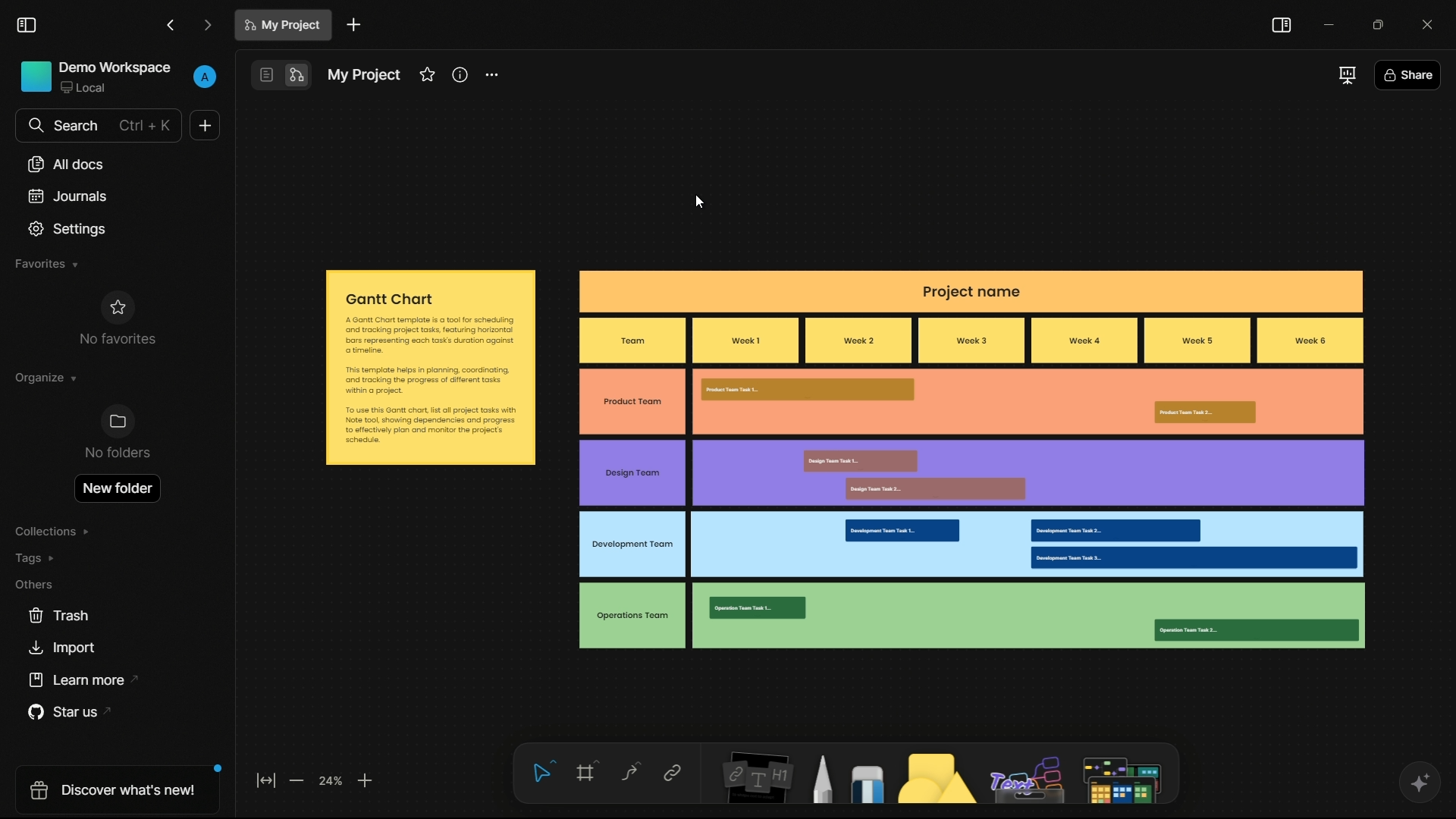 The height and width of the screenshot is (819, 1456). I want to click on toggle sidebar, so click(27, 25).